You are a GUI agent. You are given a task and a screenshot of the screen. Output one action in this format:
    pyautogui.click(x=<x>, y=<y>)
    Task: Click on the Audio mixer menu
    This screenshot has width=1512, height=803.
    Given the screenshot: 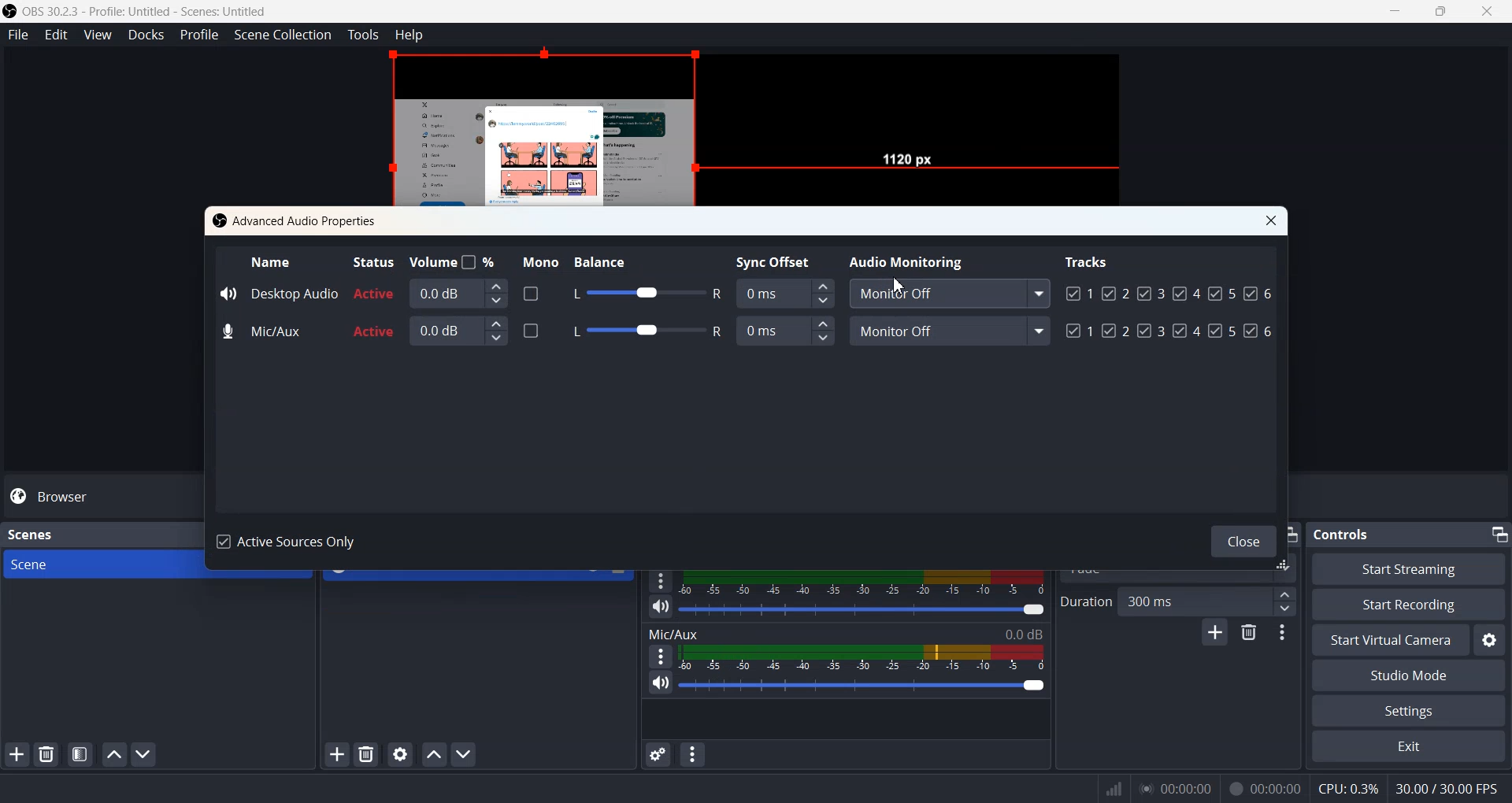 What is the action you would take?
    pyautogui.click(x=694, y=754)
    